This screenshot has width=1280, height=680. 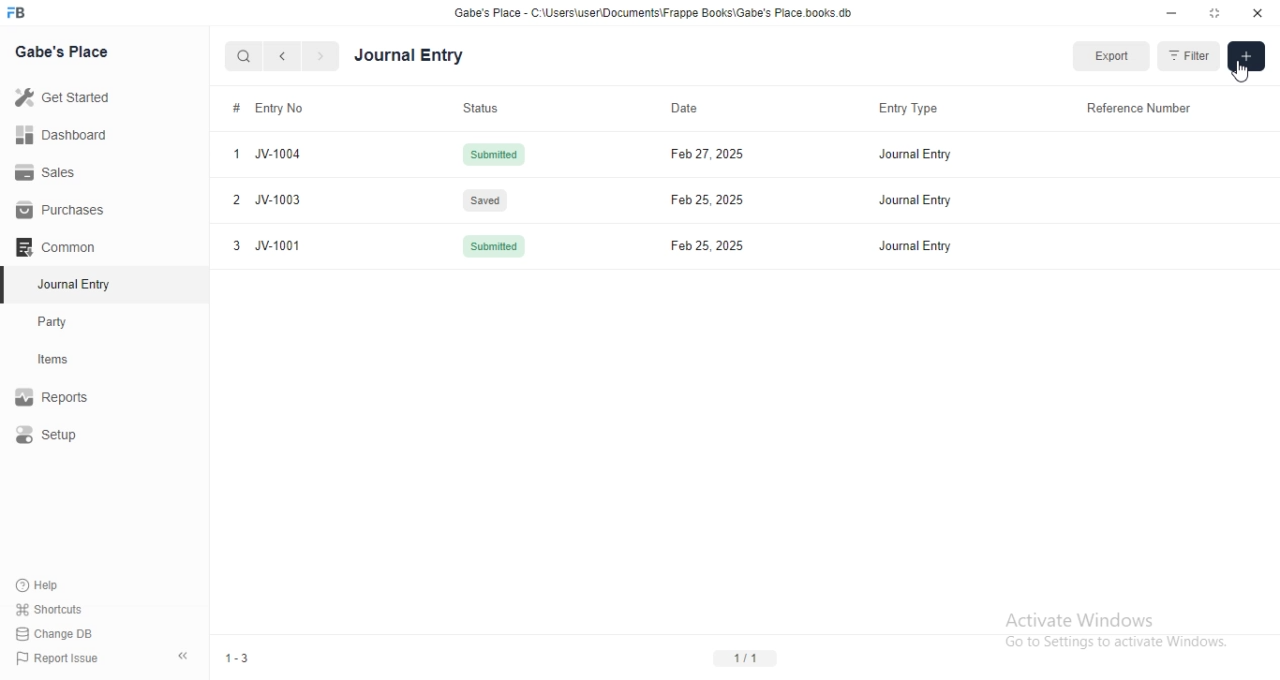 I want to click on Journal Entry, so click(x=410, y=55).